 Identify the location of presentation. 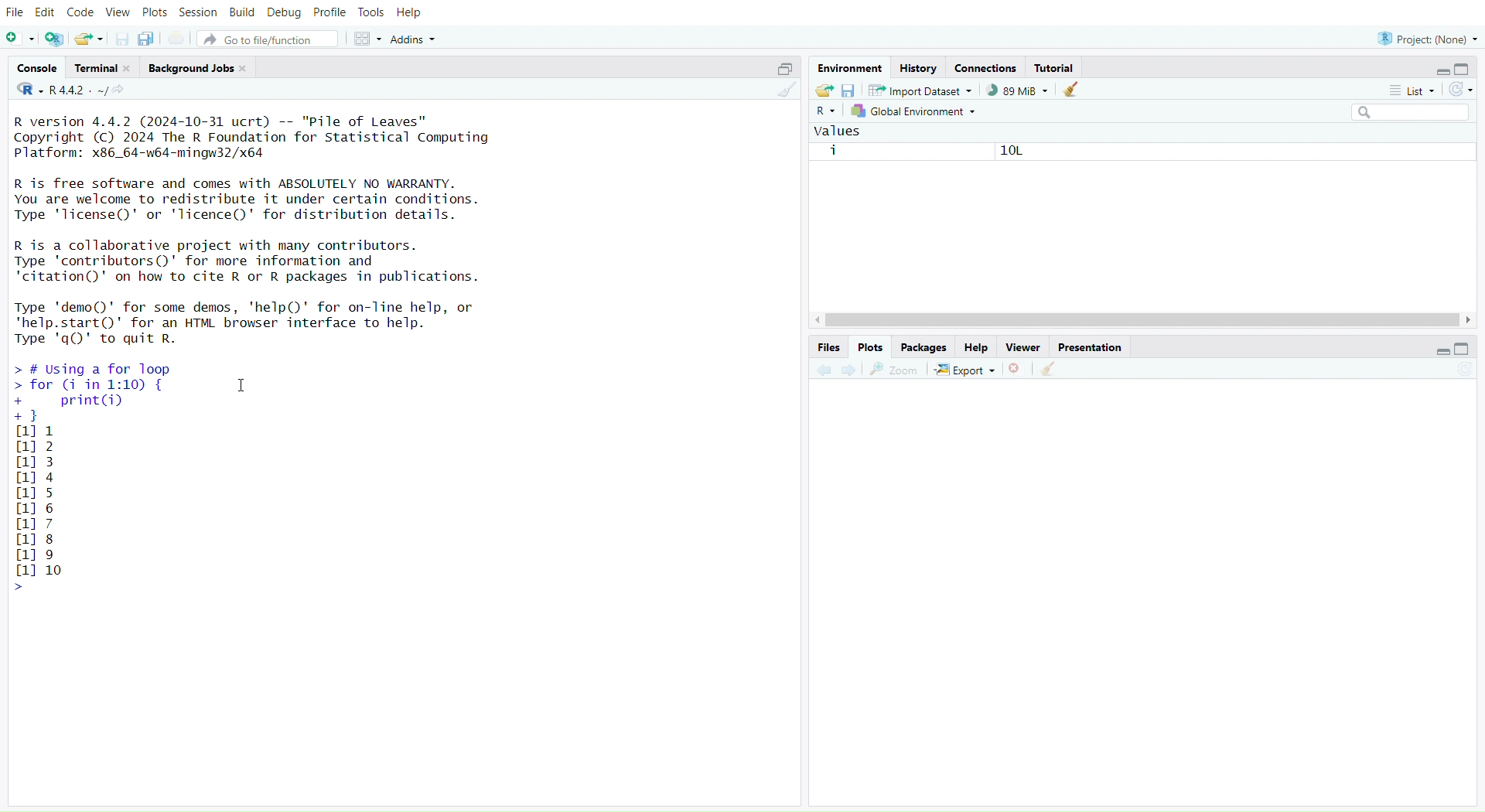
(1092, 349).